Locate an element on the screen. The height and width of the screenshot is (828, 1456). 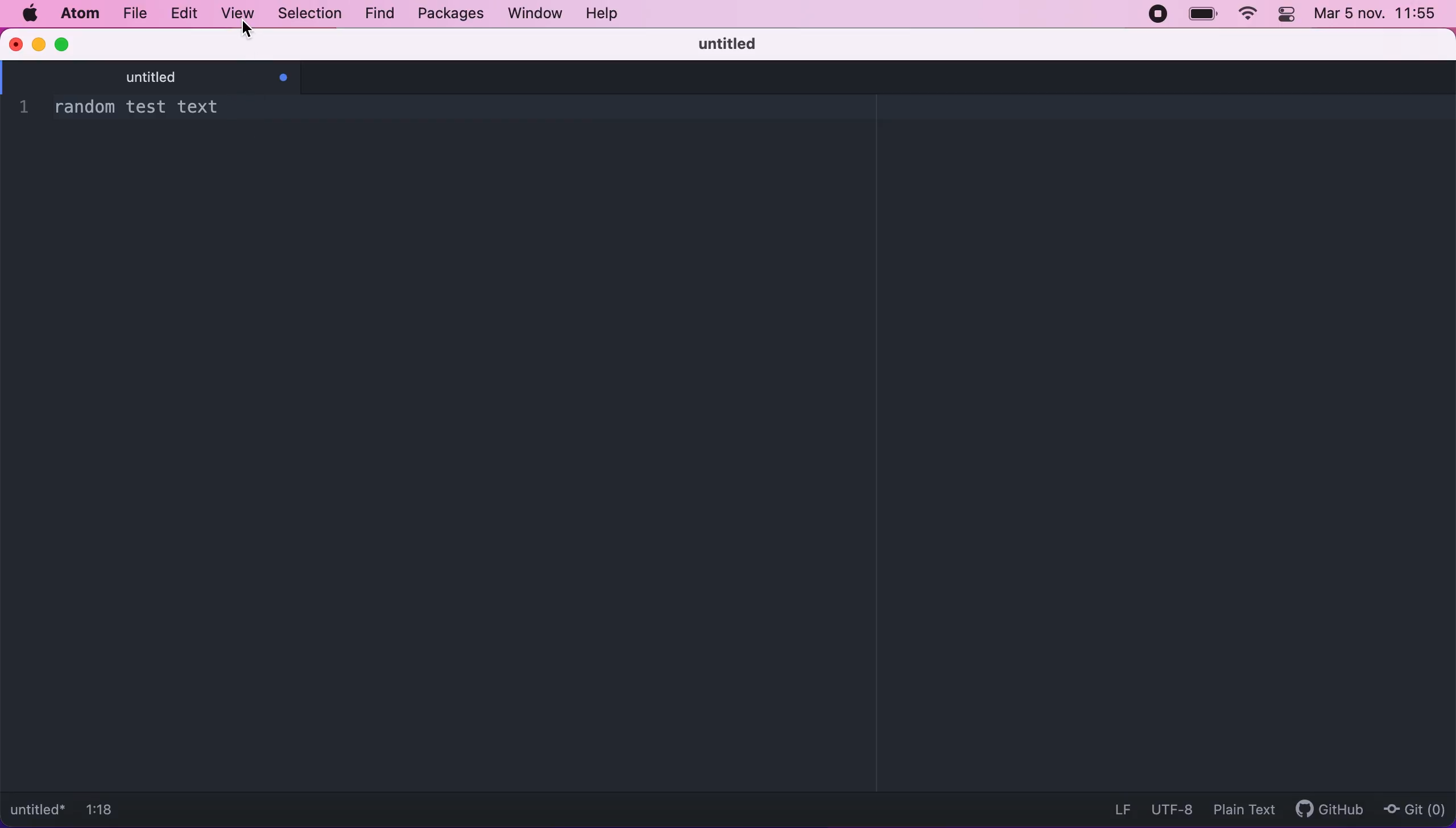
untitled* is located at coordinates (39, 808).